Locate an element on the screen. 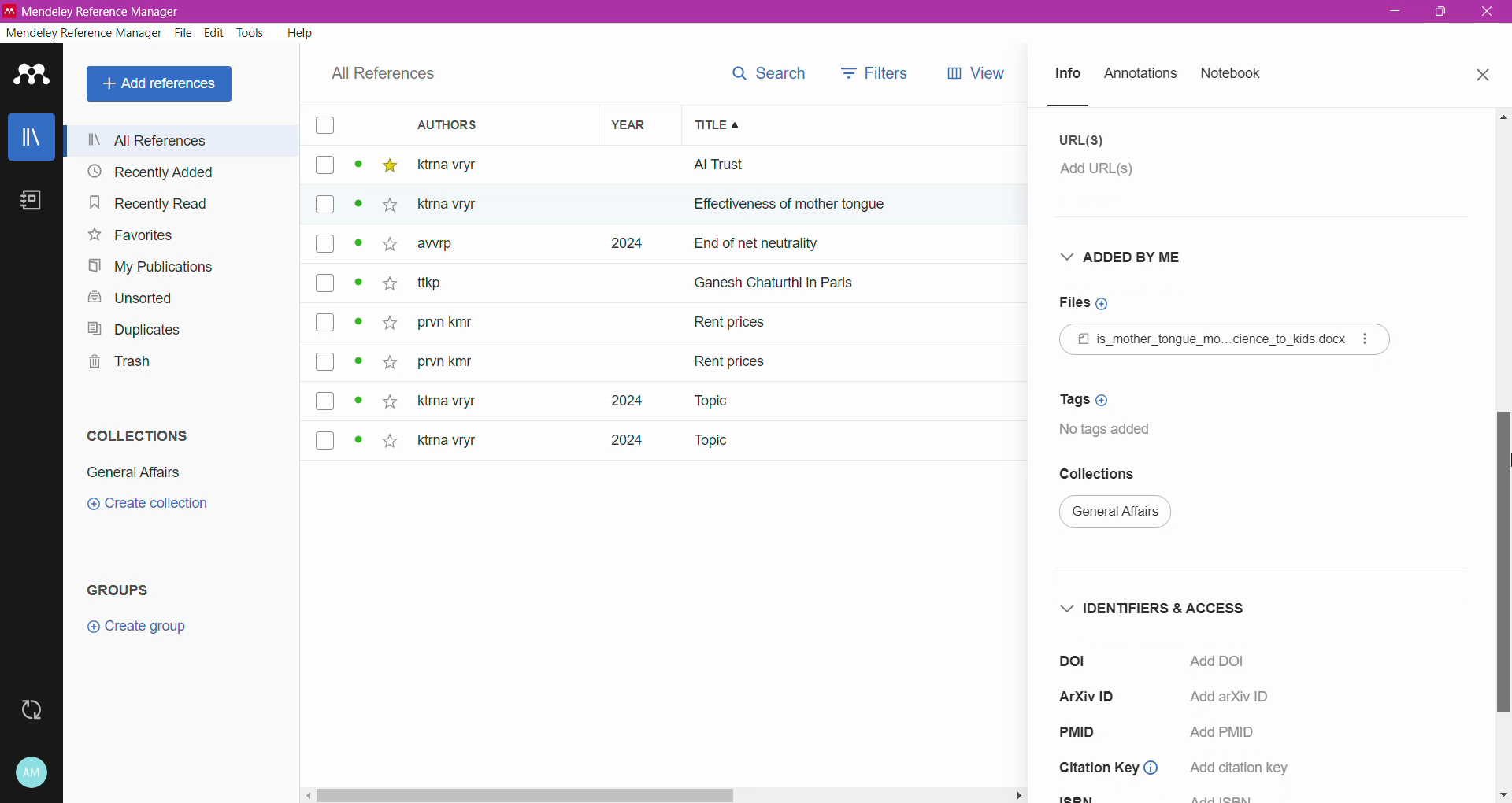  Edit is located at coordinates (216, 33).